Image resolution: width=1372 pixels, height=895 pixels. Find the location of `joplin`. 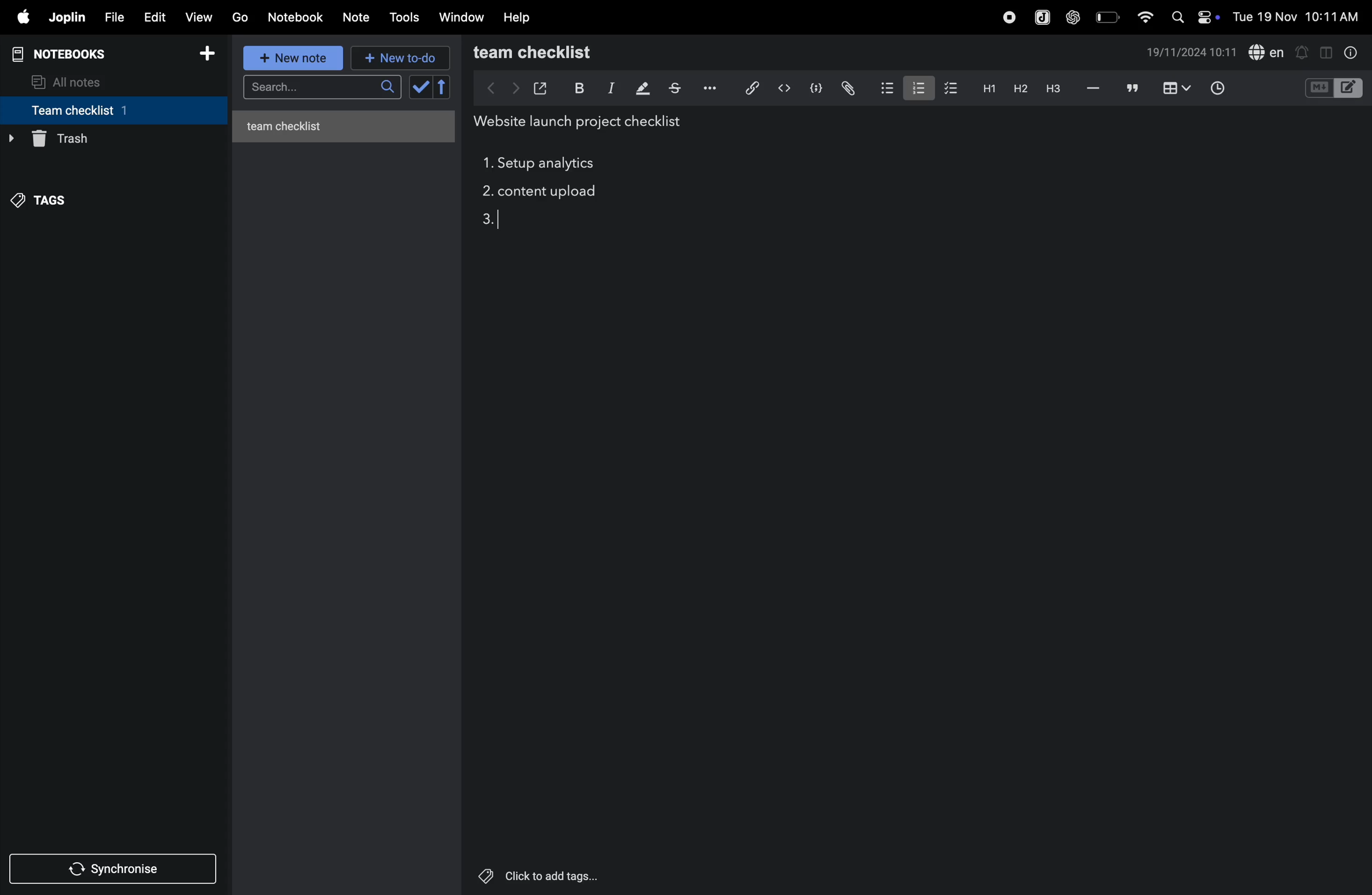

joplin is located at coordinates (68, 18).